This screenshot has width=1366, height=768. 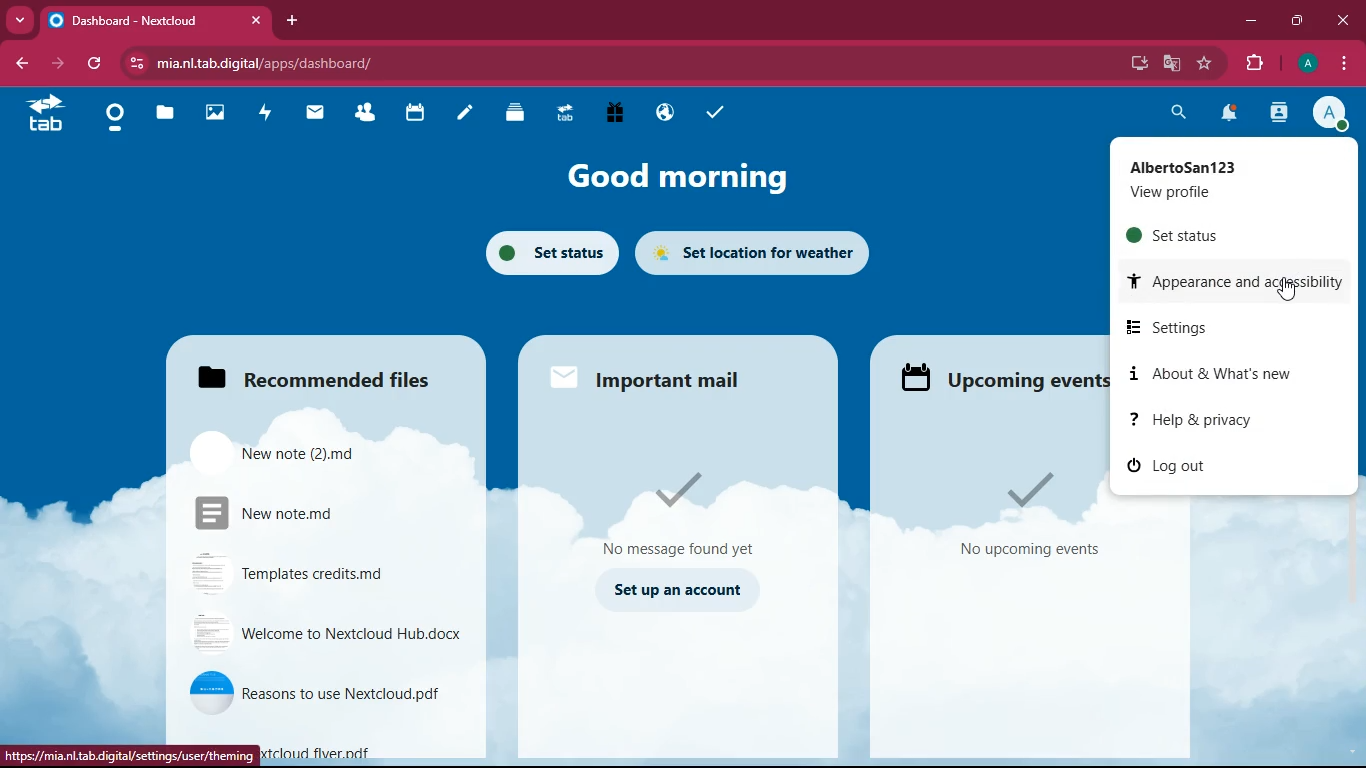 What do you see at coordinates (692, 507) in the screenshot?
I see `message` at bounding box center [692, 507].